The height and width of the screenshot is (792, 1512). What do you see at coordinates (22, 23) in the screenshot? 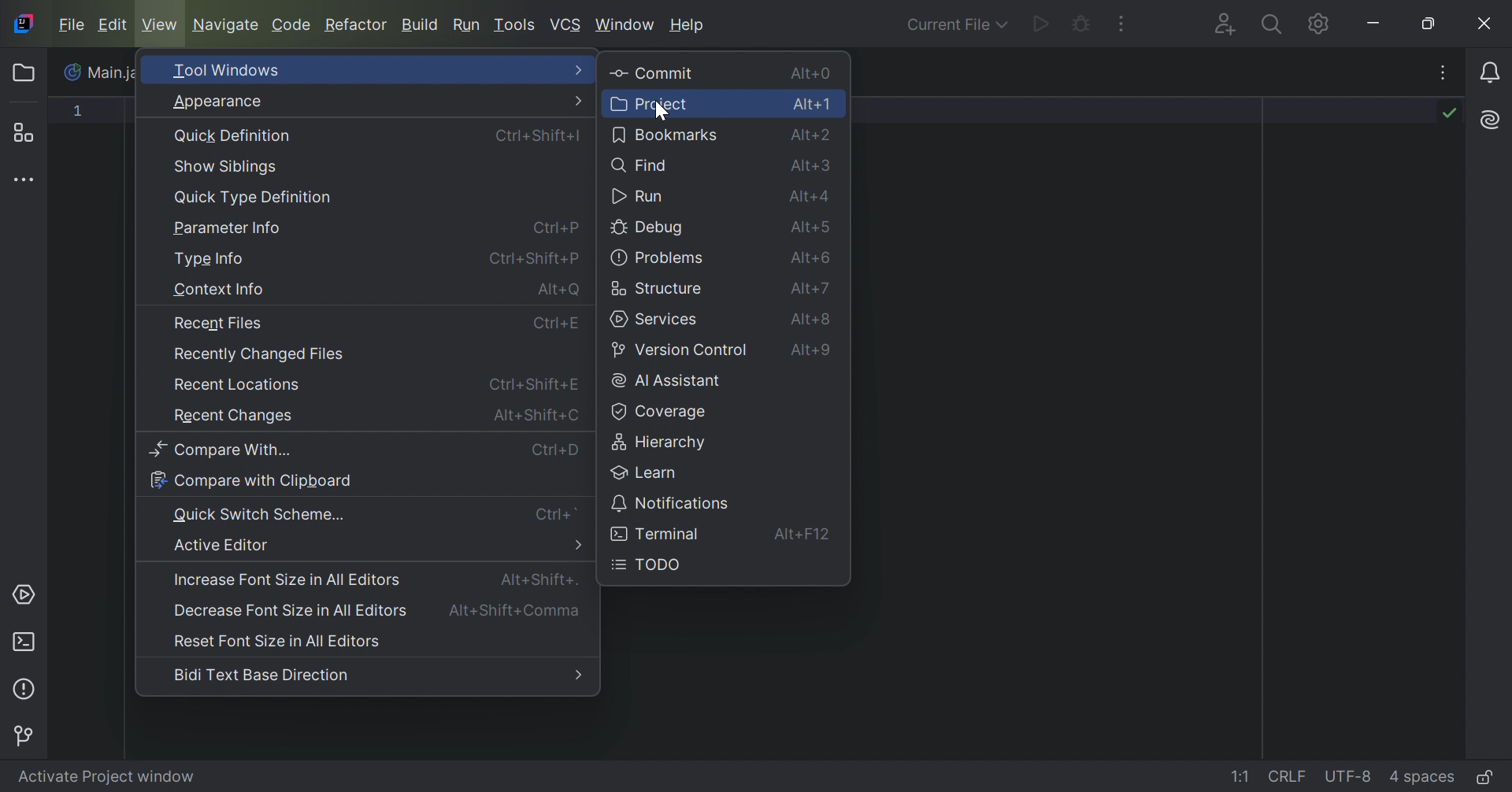
I see `Icon` at bounding box center [22, 23].